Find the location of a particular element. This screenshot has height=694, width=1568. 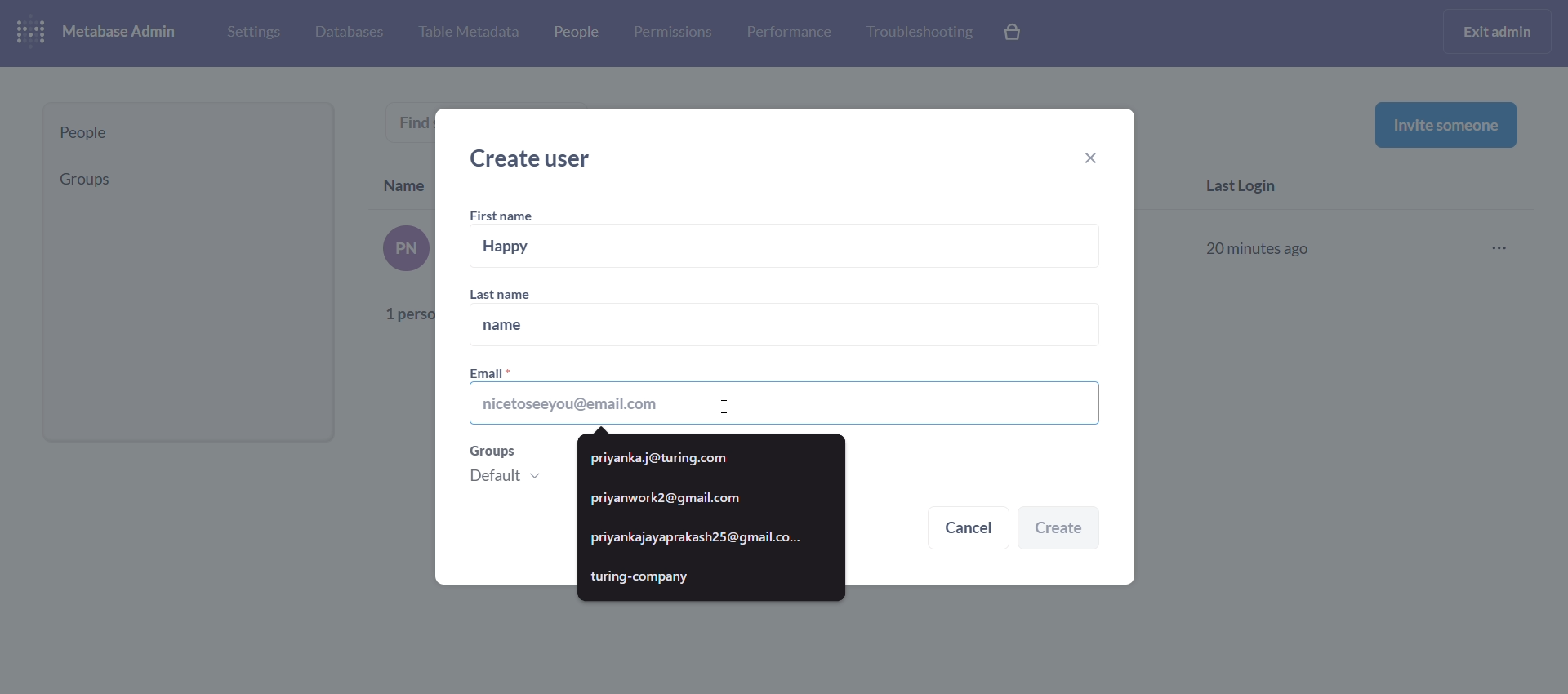

people is located at coordinates (574, 35).